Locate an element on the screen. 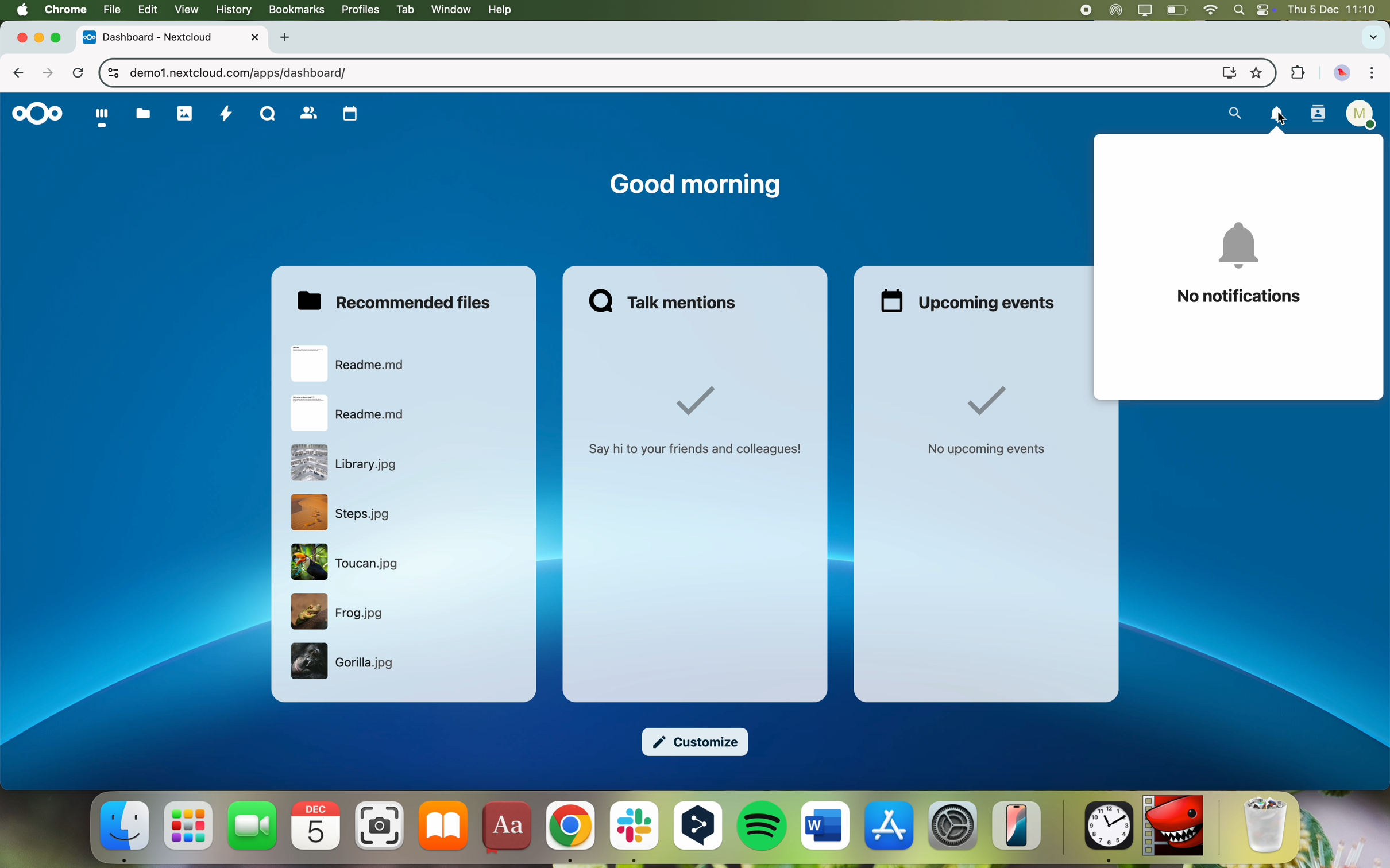 The image size is (1390, 868). cursor is located at coordinates (1284, 119).